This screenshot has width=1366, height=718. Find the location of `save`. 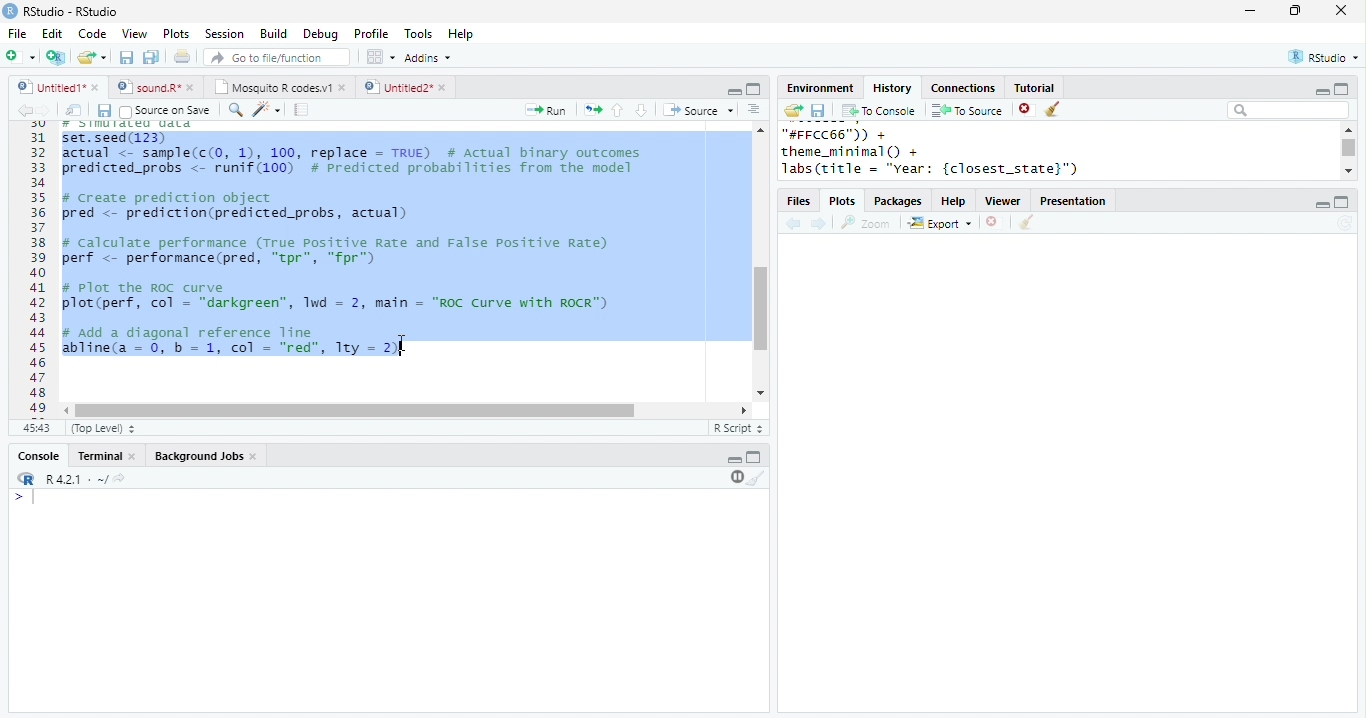

save is located at coordinates (104, 111).